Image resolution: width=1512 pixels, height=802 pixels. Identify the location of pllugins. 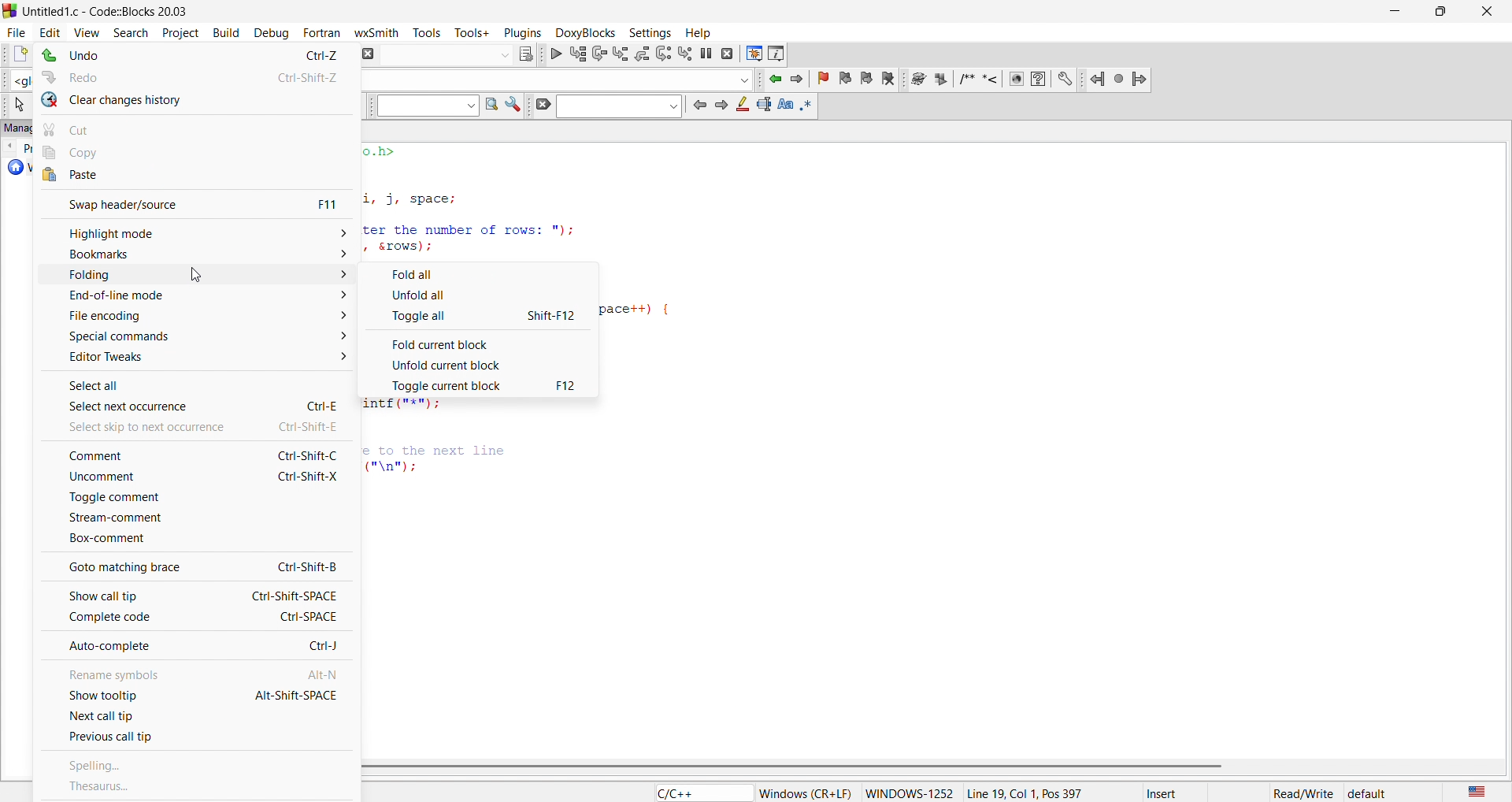
(520, 31).